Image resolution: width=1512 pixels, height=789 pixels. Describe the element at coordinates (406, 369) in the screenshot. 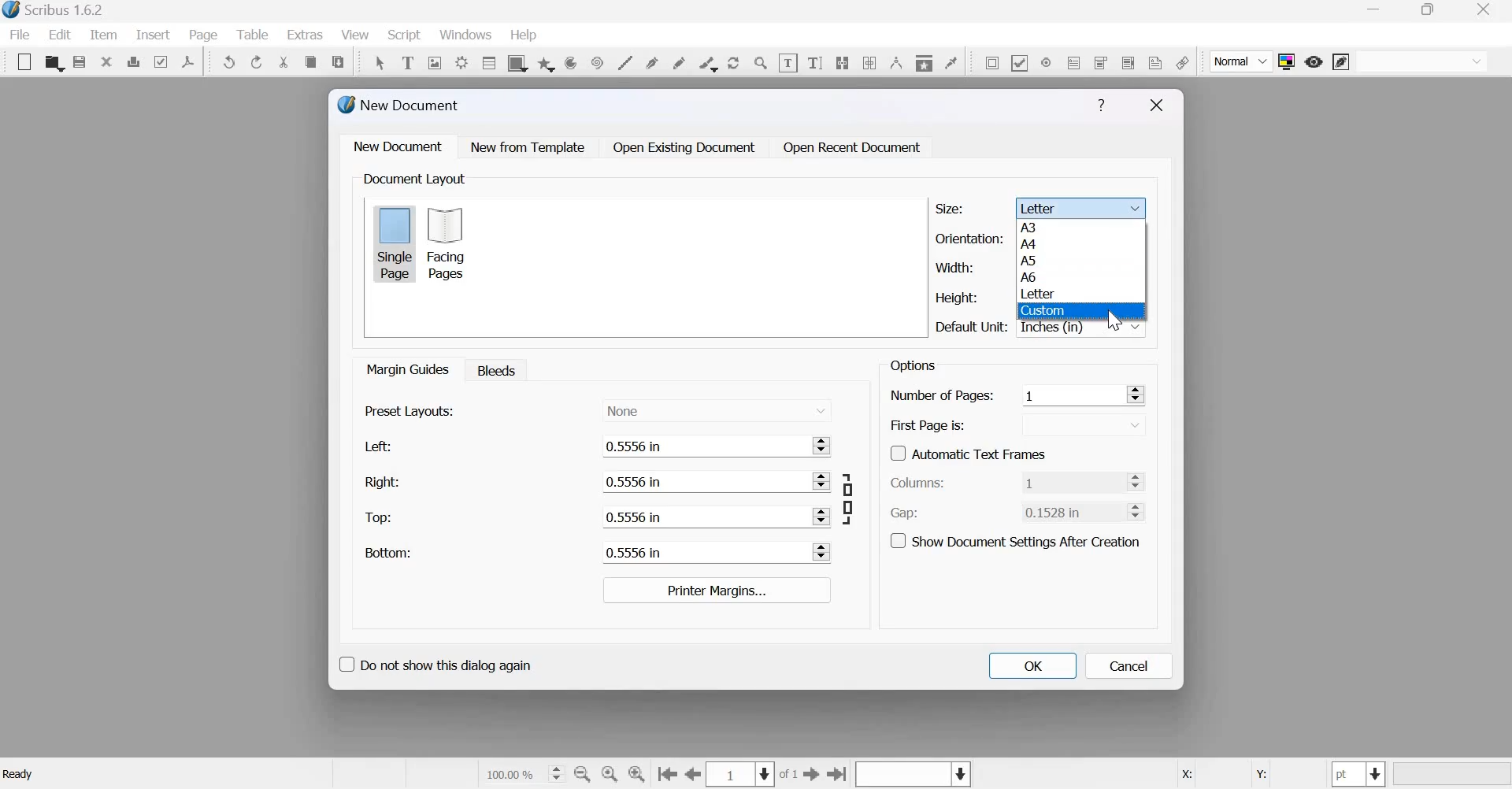

I see `Margin guides` at that location.